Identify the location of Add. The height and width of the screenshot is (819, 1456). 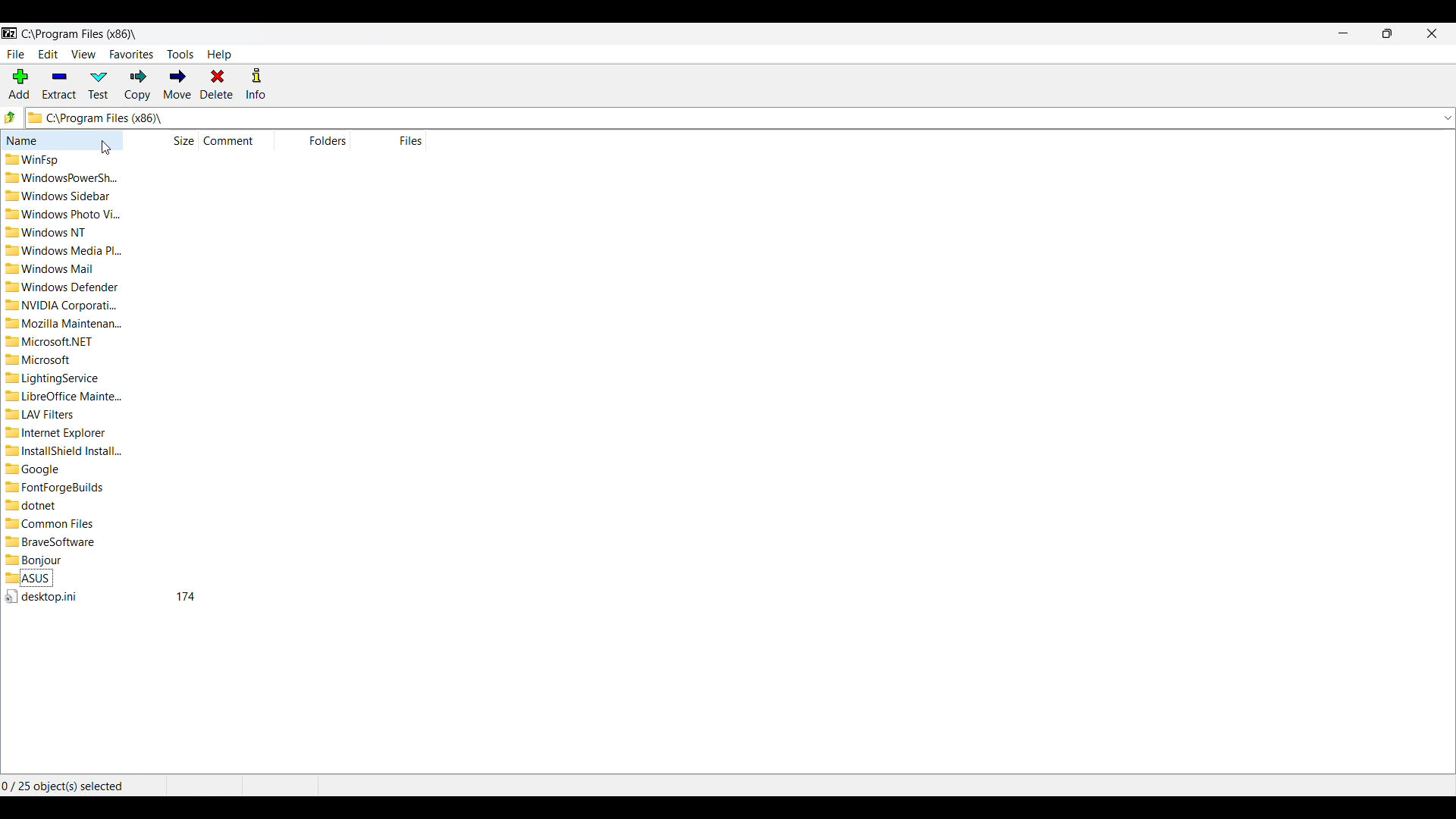
(20, 83).